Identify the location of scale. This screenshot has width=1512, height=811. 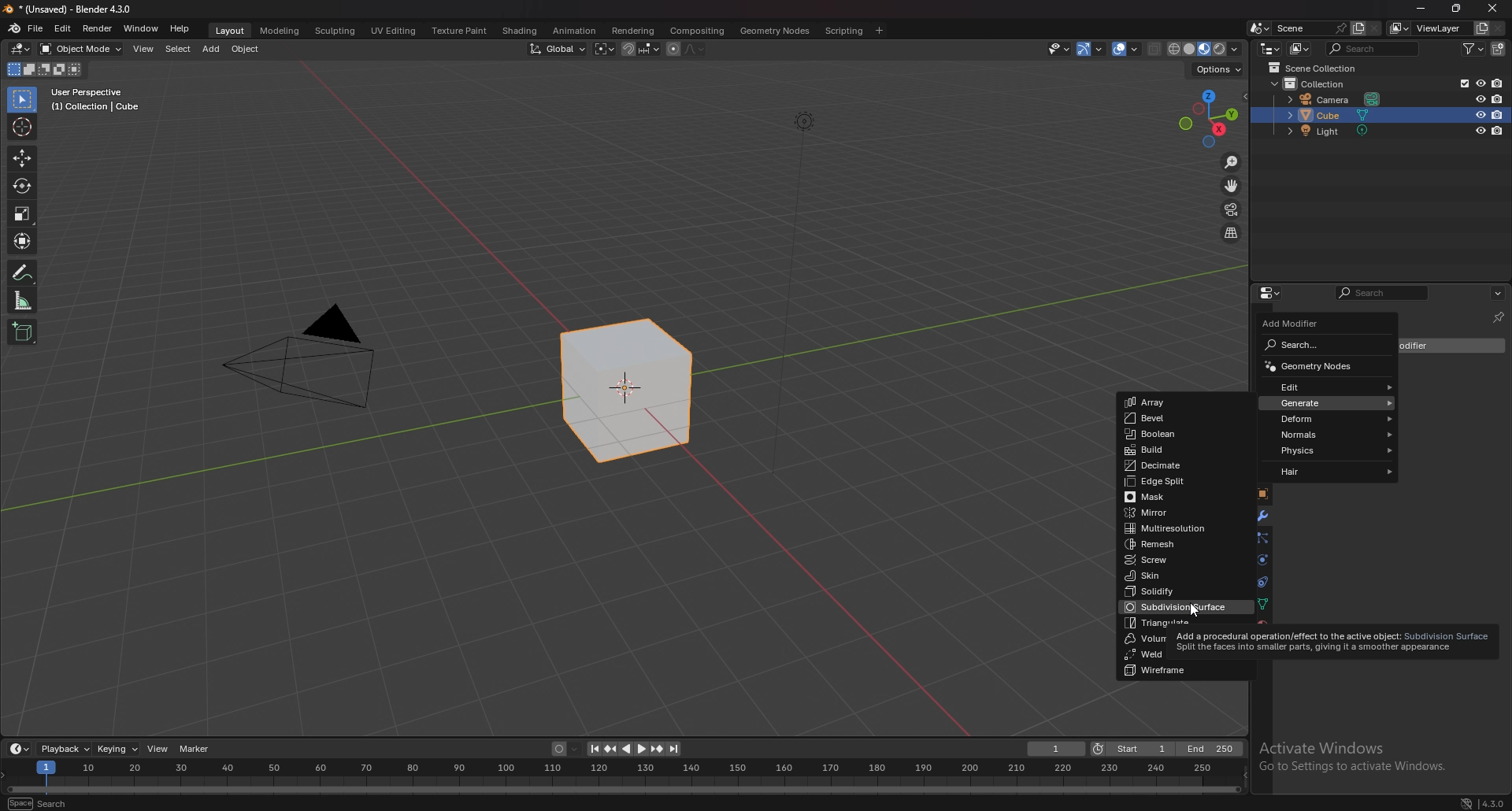
(23, 214).